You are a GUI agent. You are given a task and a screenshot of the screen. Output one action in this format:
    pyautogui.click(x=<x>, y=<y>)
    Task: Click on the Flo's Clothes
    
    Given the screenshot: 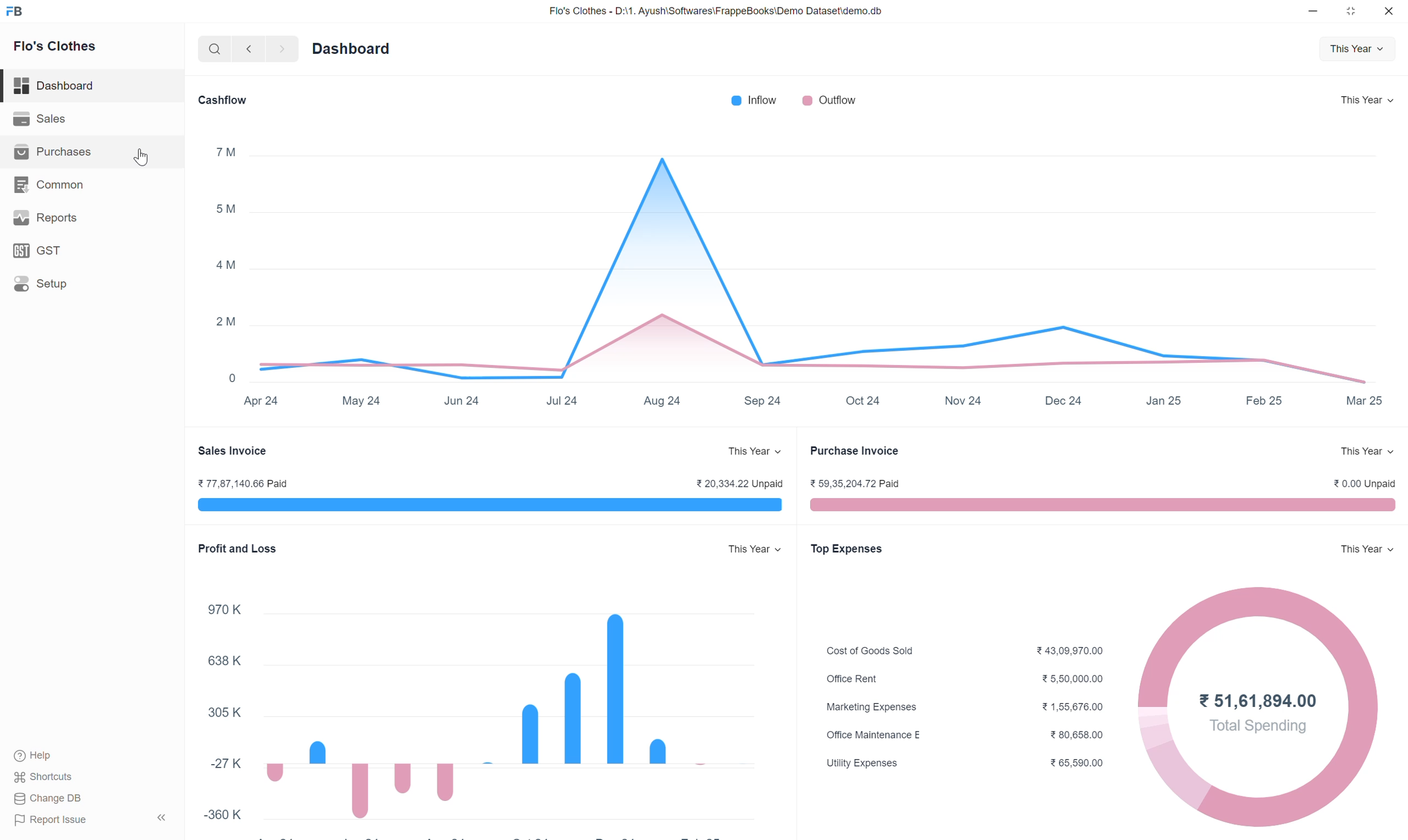 What is the action you would take?
    pyautogui.click(x=55, y=48)
    